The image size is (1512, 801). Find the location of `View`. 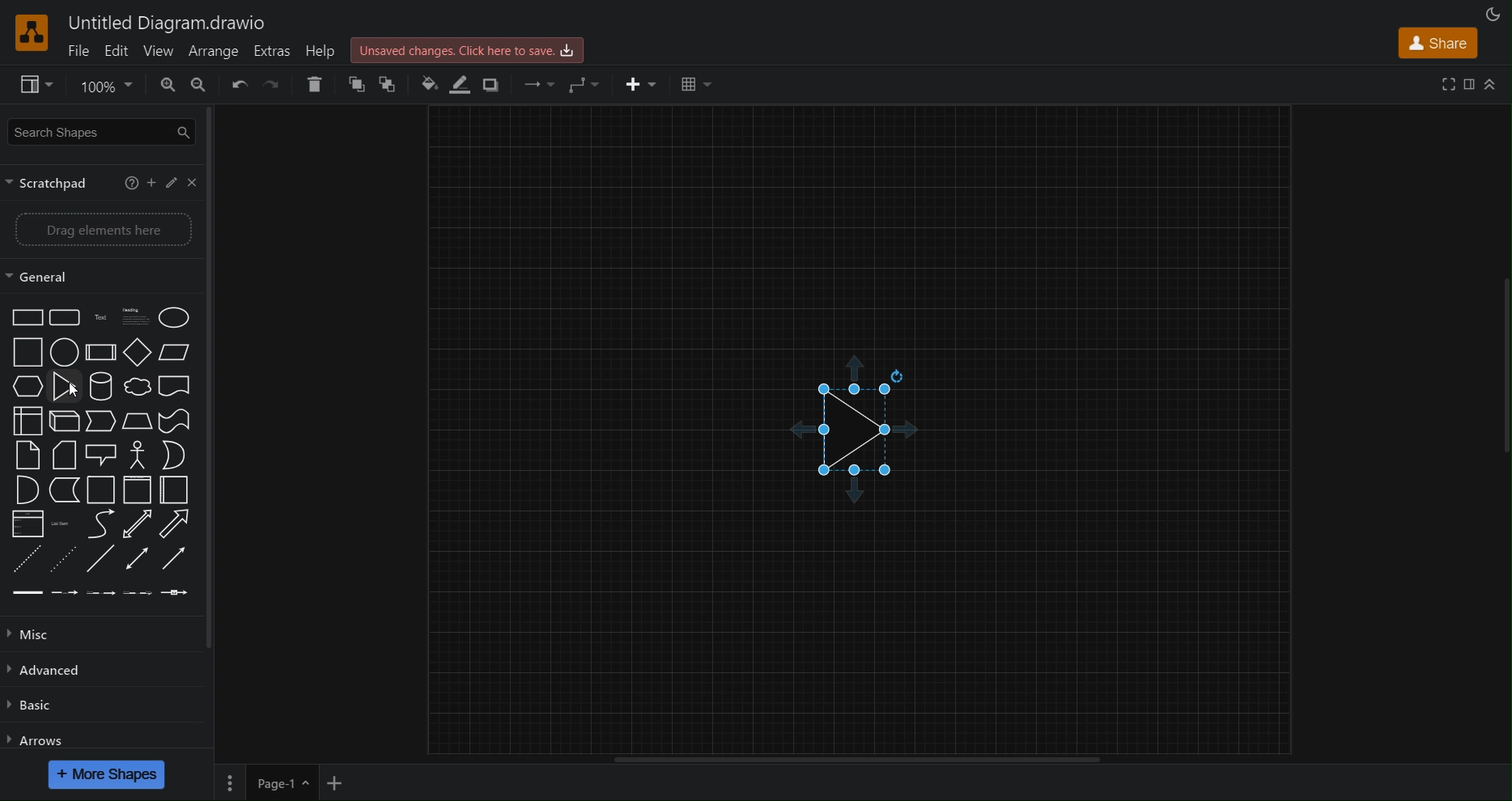

View is located at coordinates (159, 50).